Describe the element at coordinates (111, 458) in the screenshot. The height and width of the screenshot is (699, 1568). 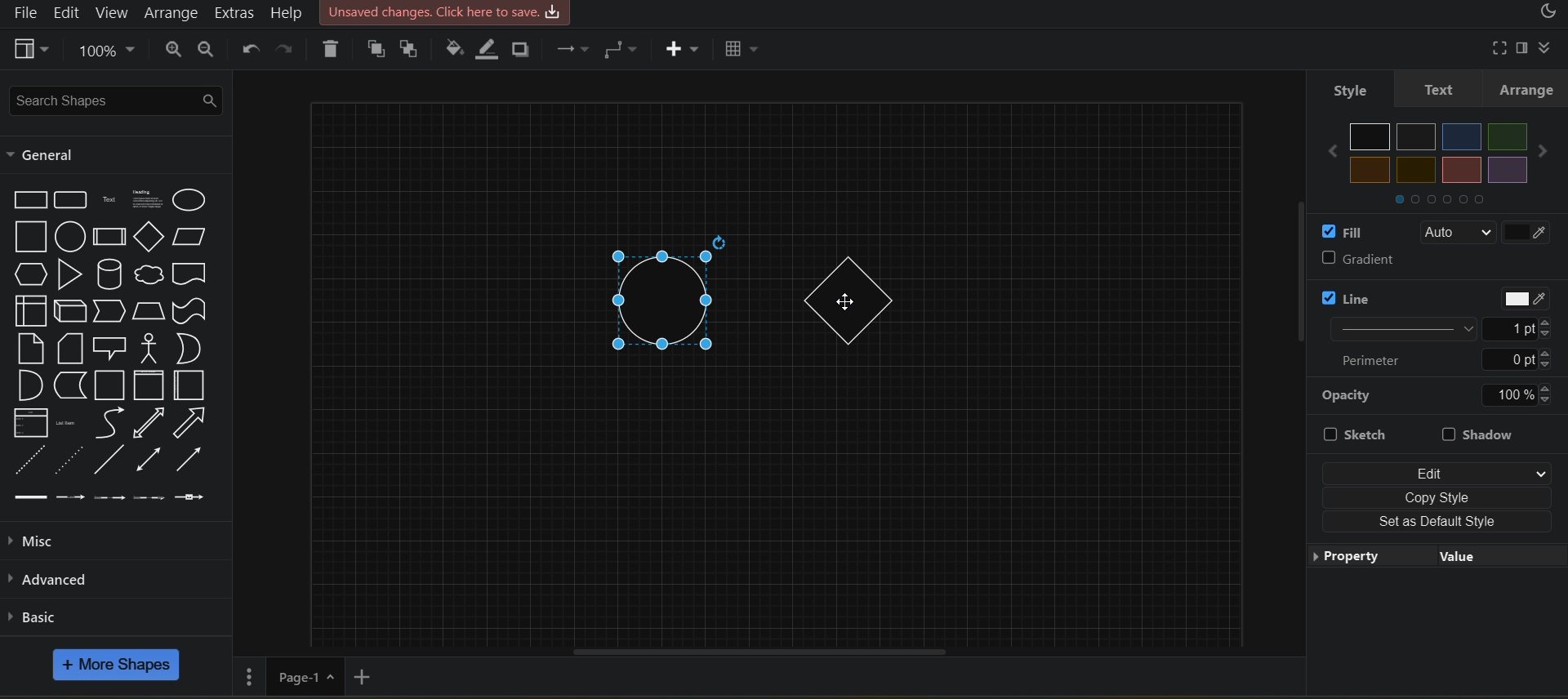
I see `Line` at that location.